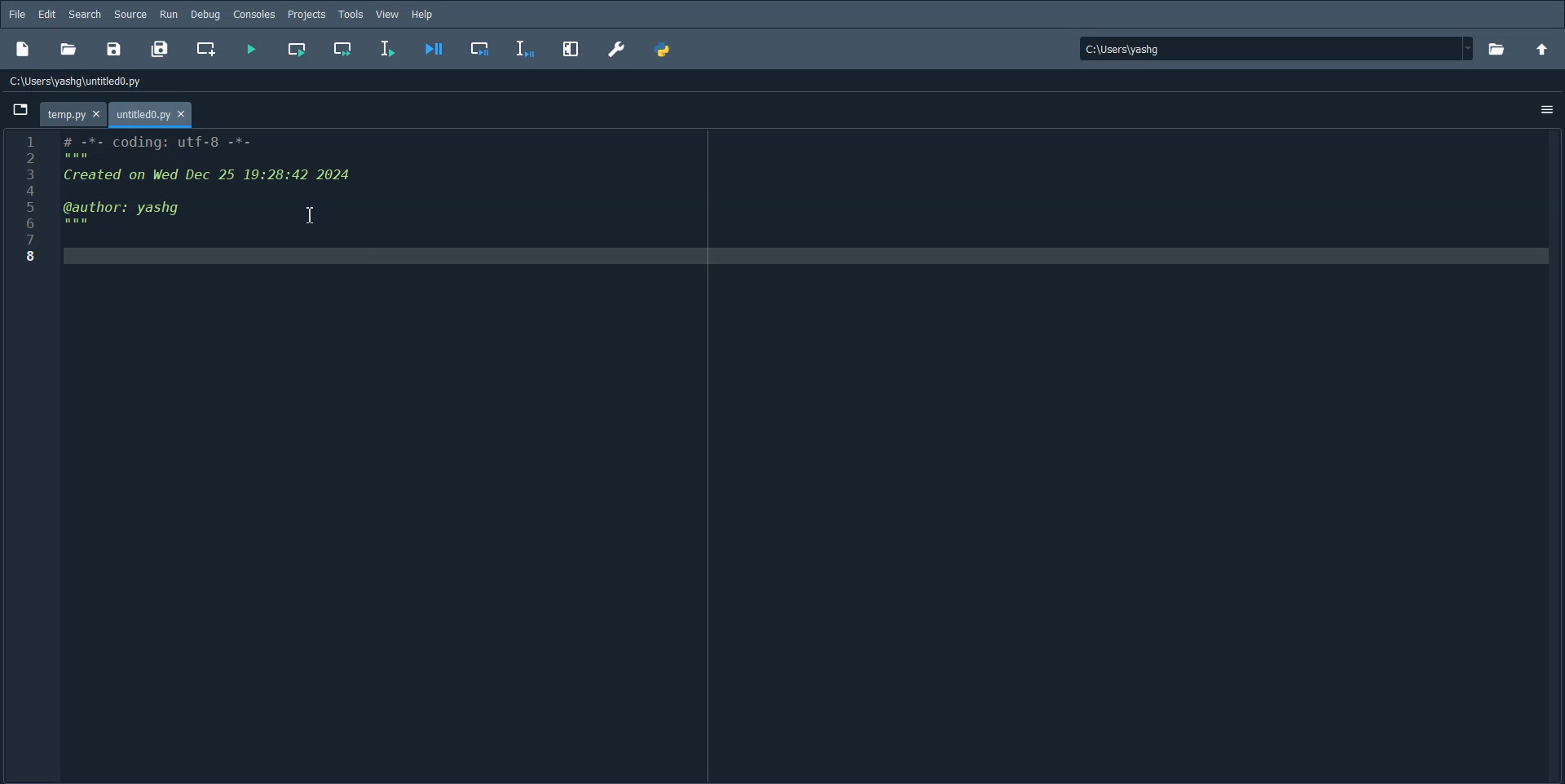 Image resolution: width=1565 pixels, height=784 pixels. I want to click on Debug file, so click(433, 51).